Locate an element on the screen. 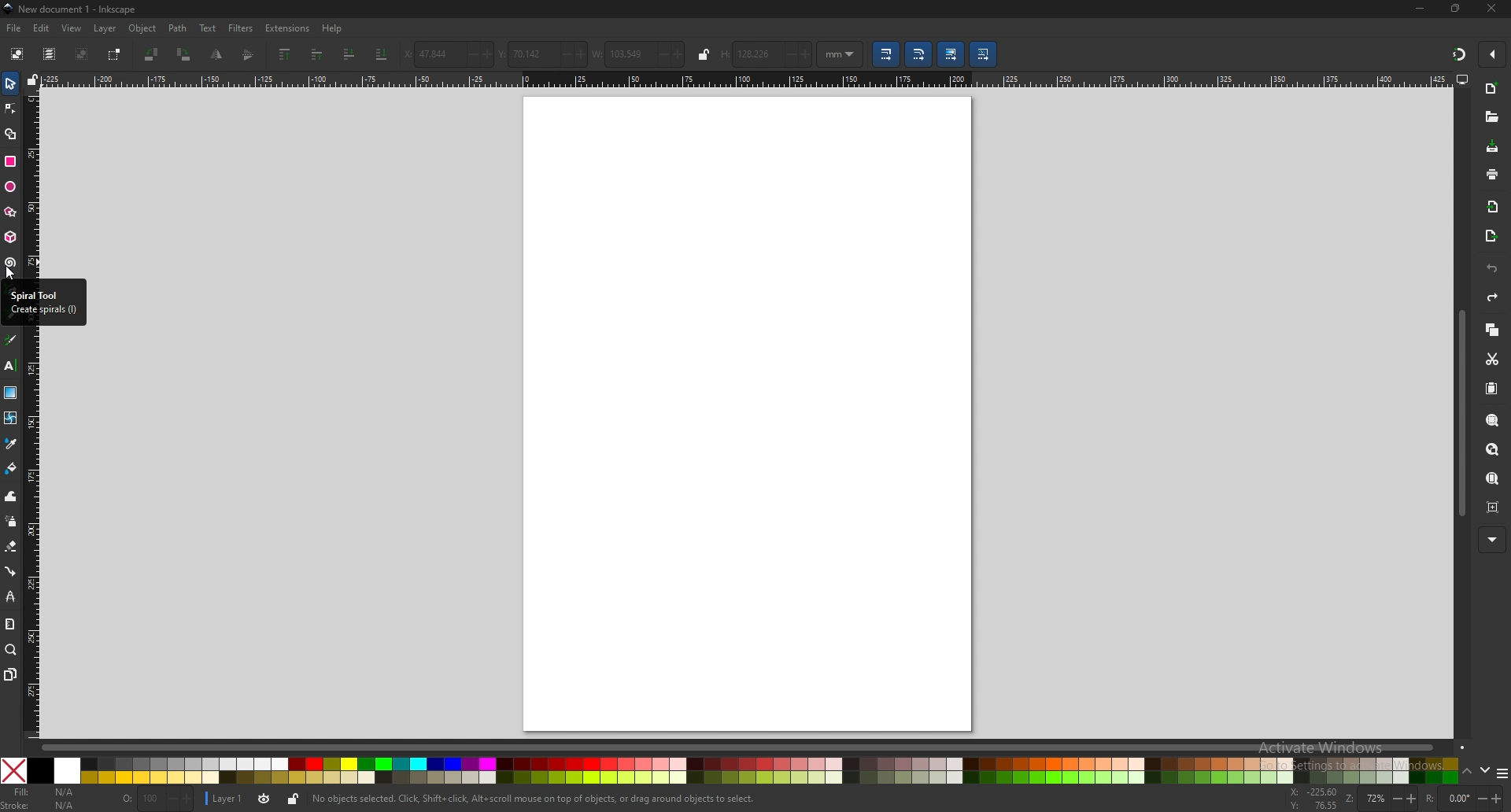 This screenshot has width=1511, height=812. object is located at coordinates (144, 28).